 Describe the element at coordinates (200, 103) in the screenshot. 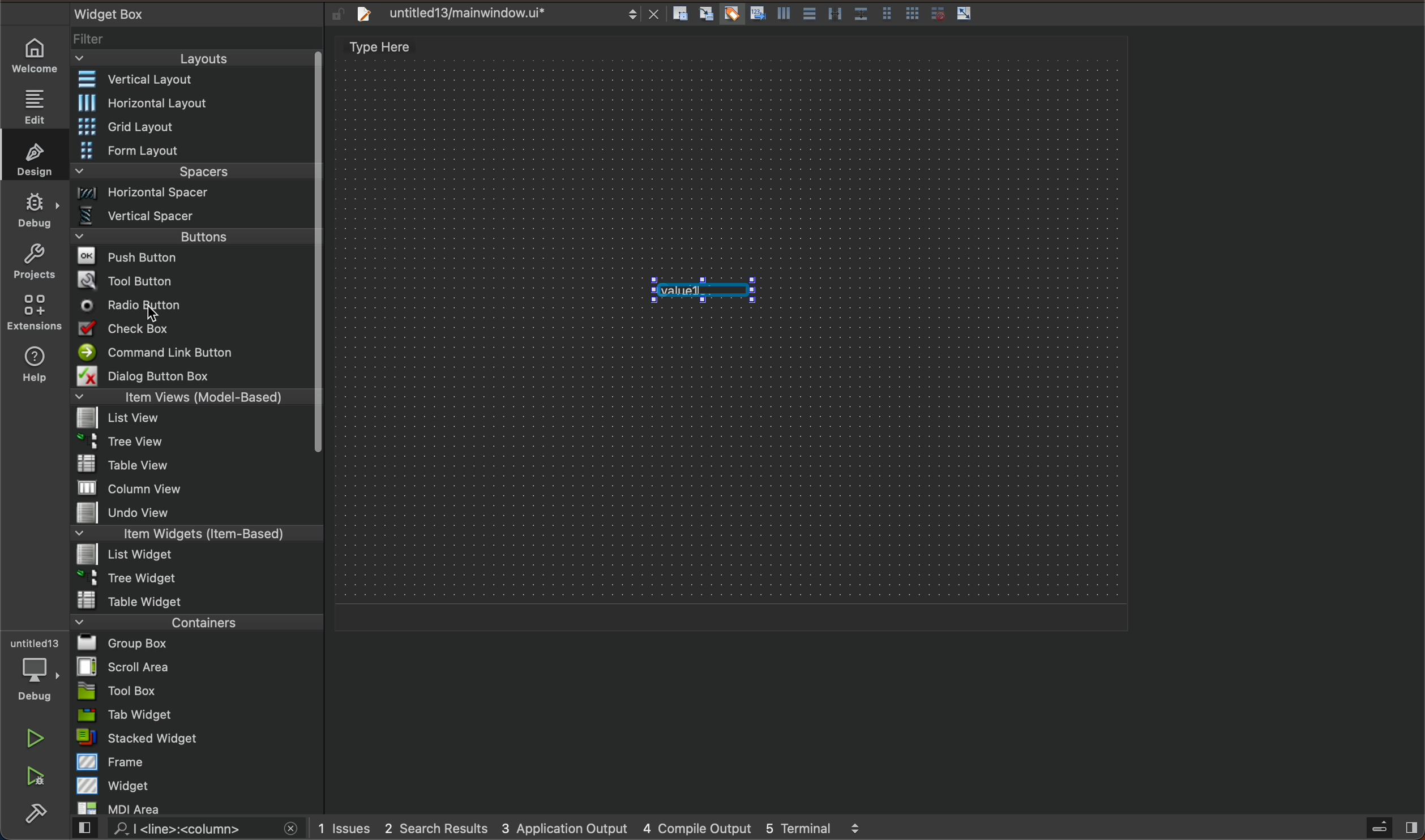

I see `` at that location.